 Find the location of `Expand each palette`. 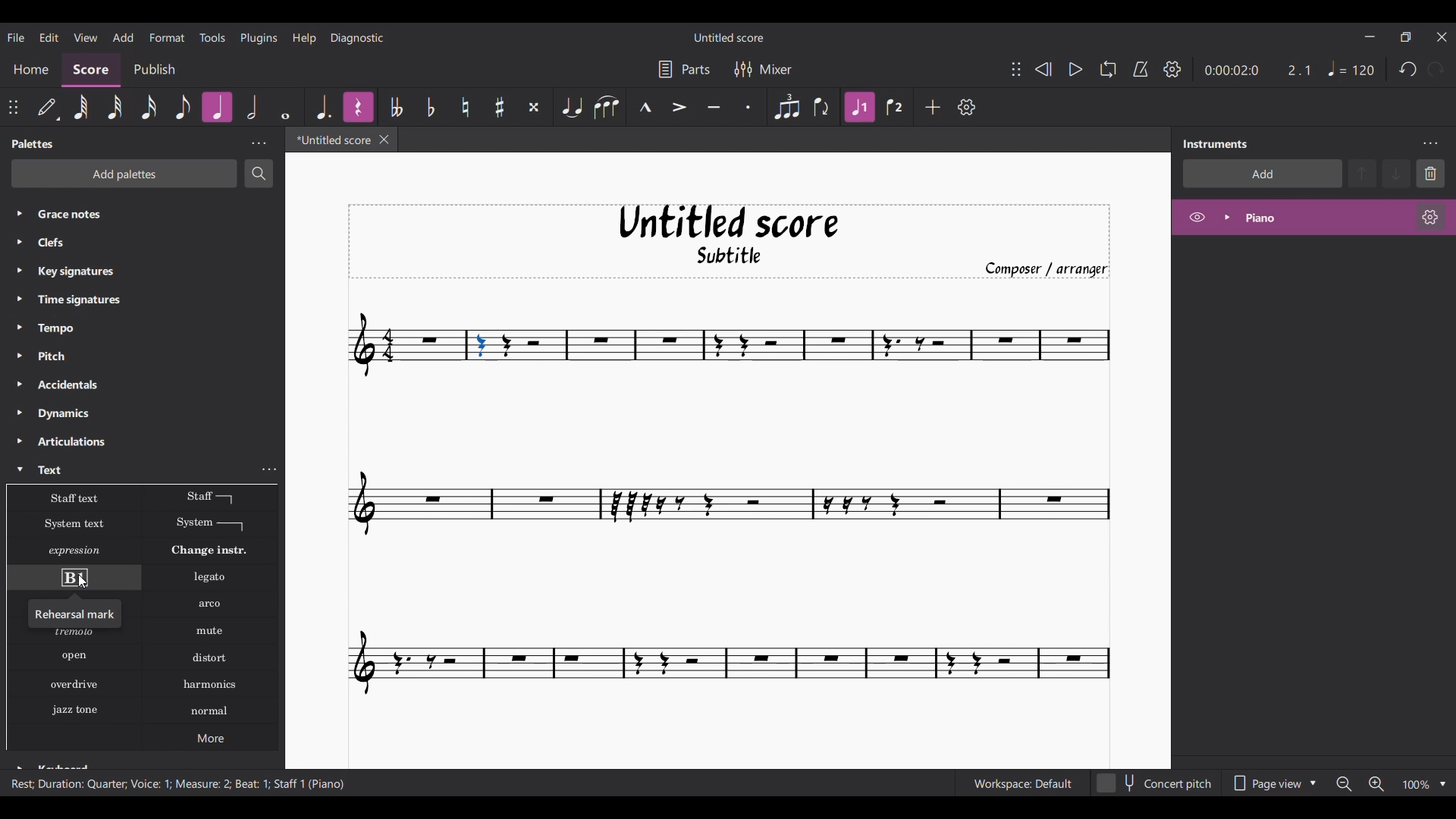

Expand each palette is located at coordinates (20, 397).